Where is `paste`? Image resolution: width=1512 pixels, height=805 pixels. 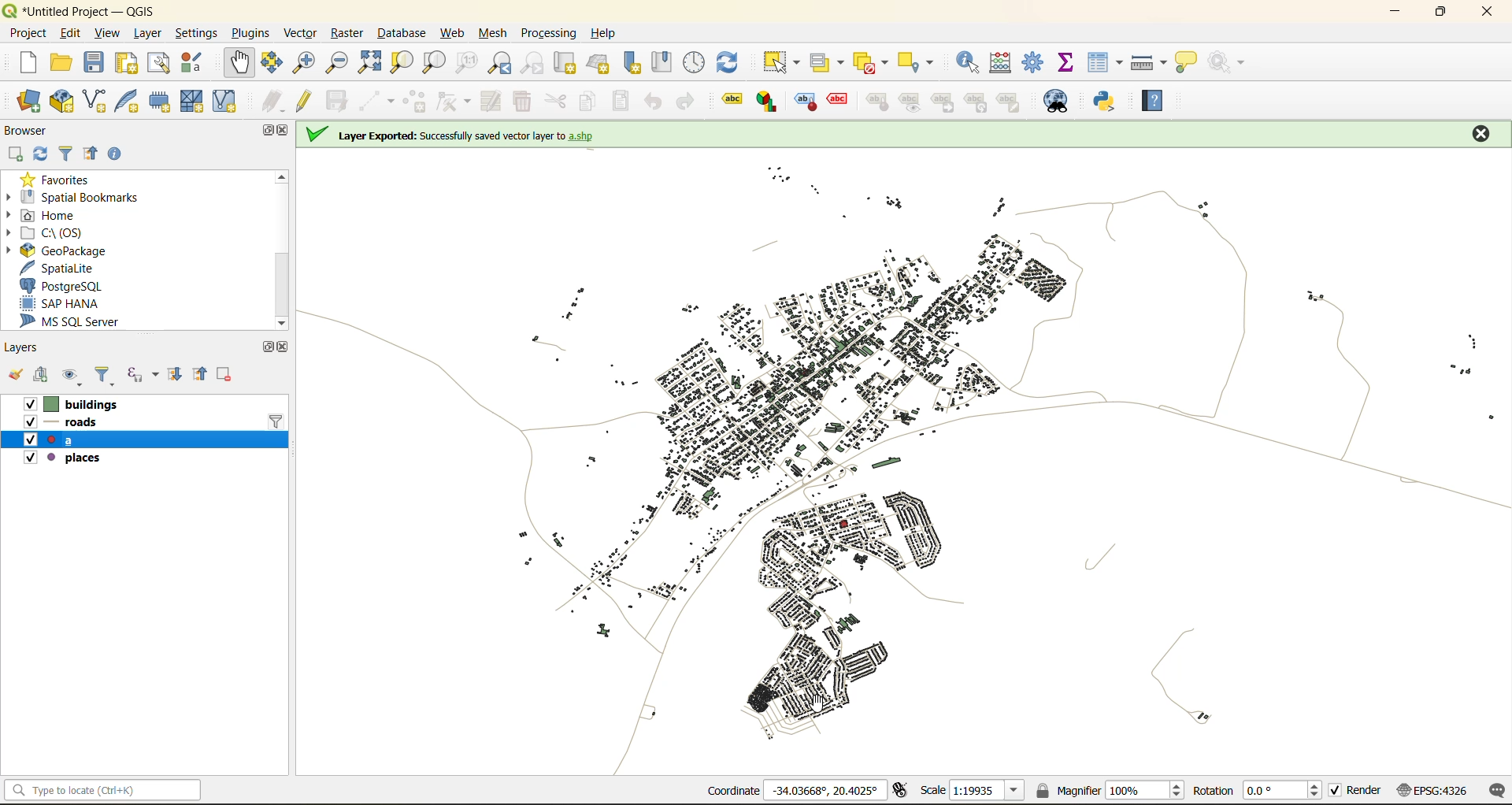
paste is located at coordinates (625, 101).